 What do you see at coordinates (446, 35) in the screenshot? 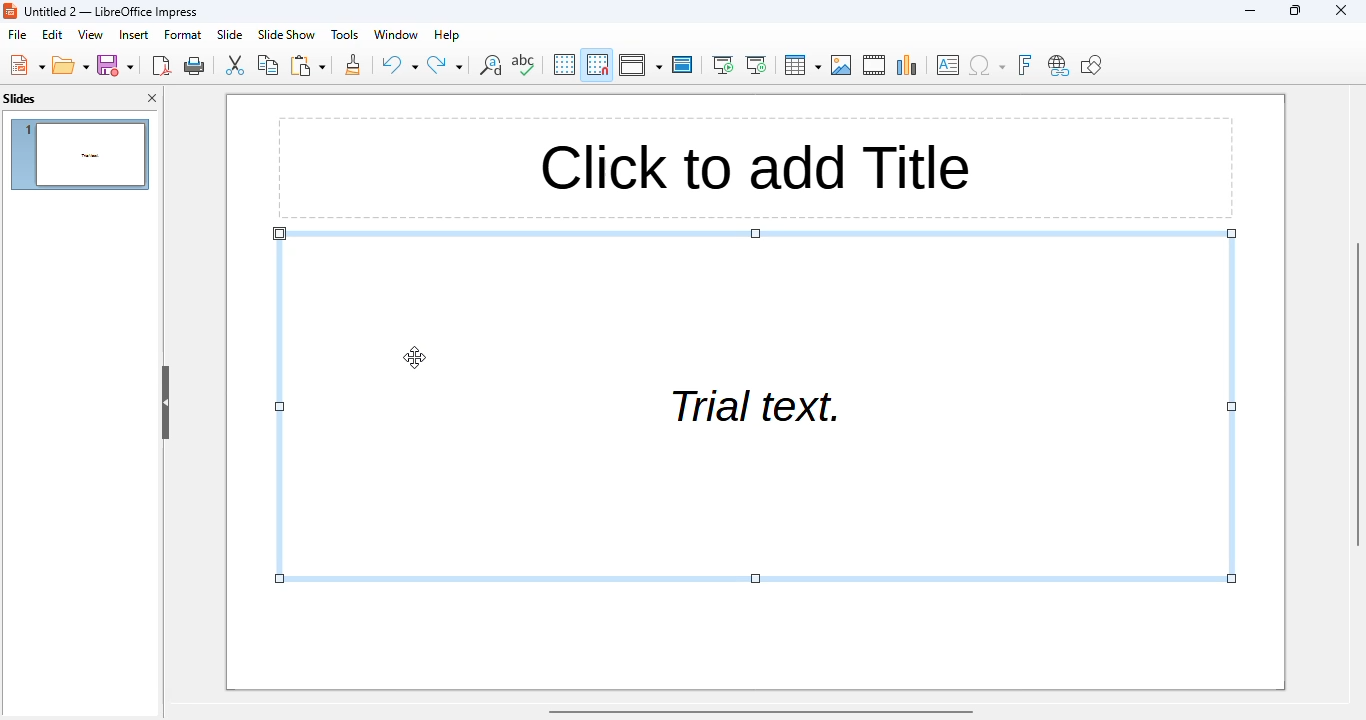
I see `help` at bounding box center [446, 35].